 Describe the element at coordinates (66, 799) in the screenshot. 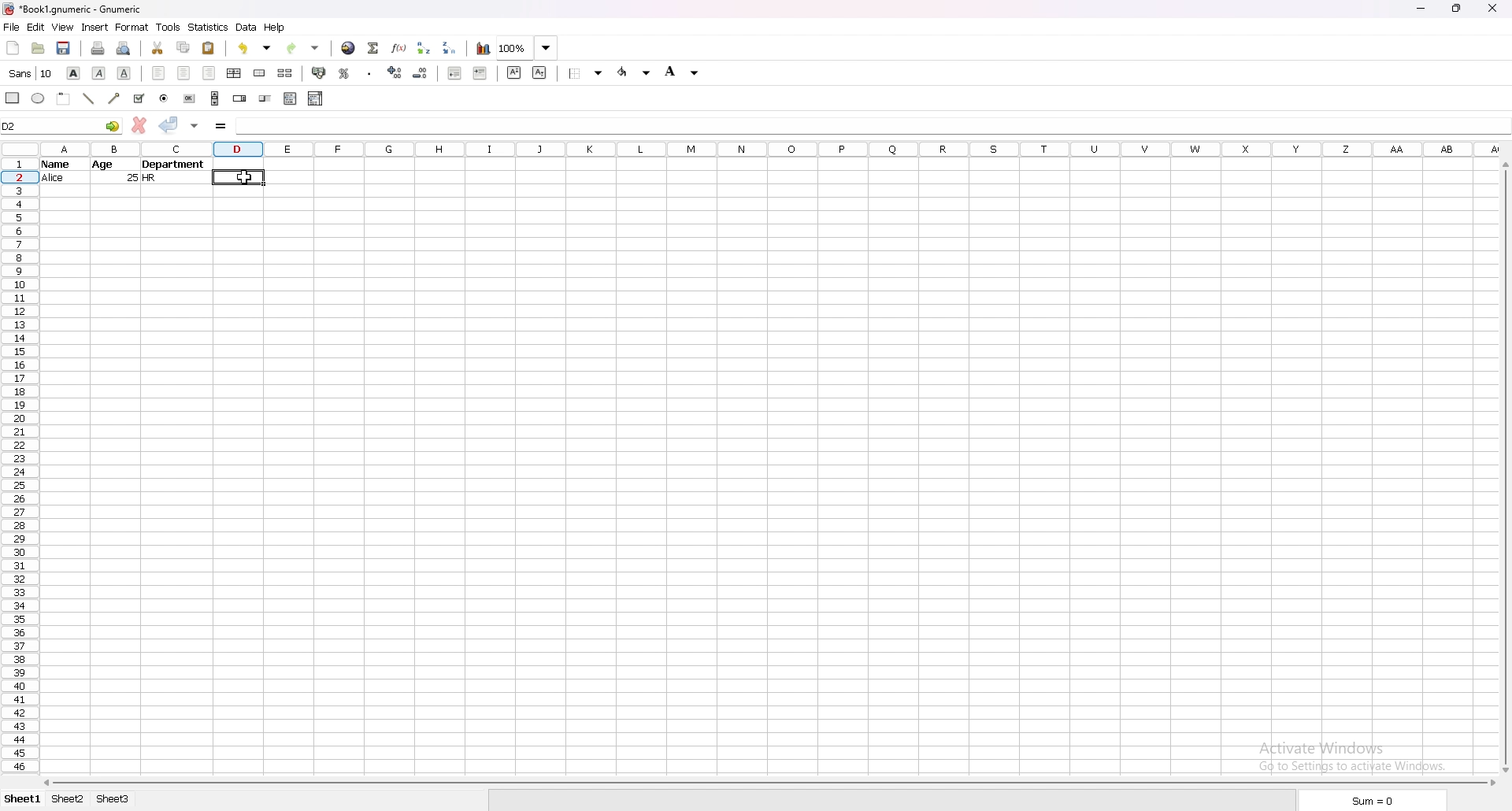

I see `sheet` at that location.